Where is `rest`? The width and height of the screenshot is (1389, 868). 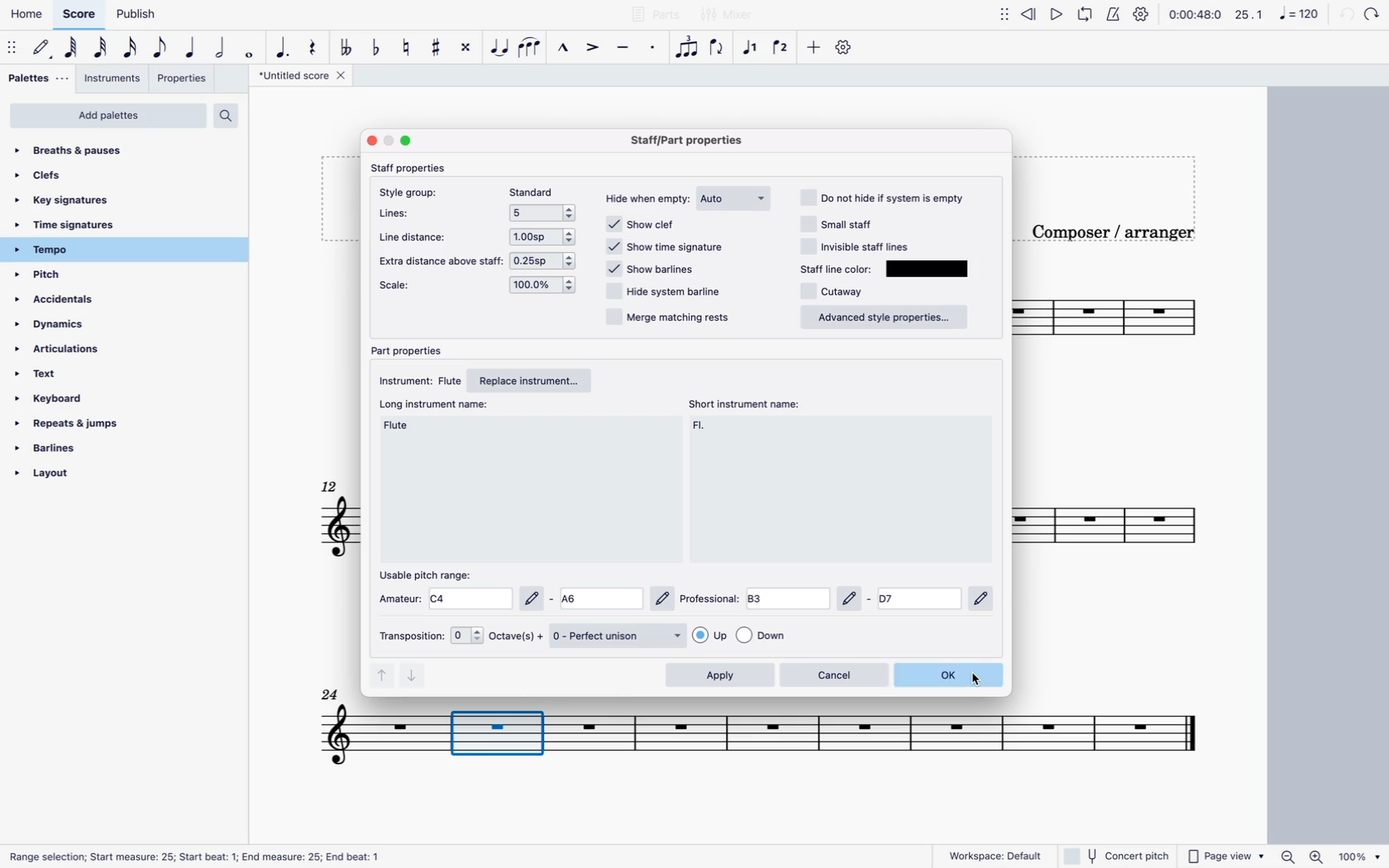 rest is located at coordinates (314, 46).